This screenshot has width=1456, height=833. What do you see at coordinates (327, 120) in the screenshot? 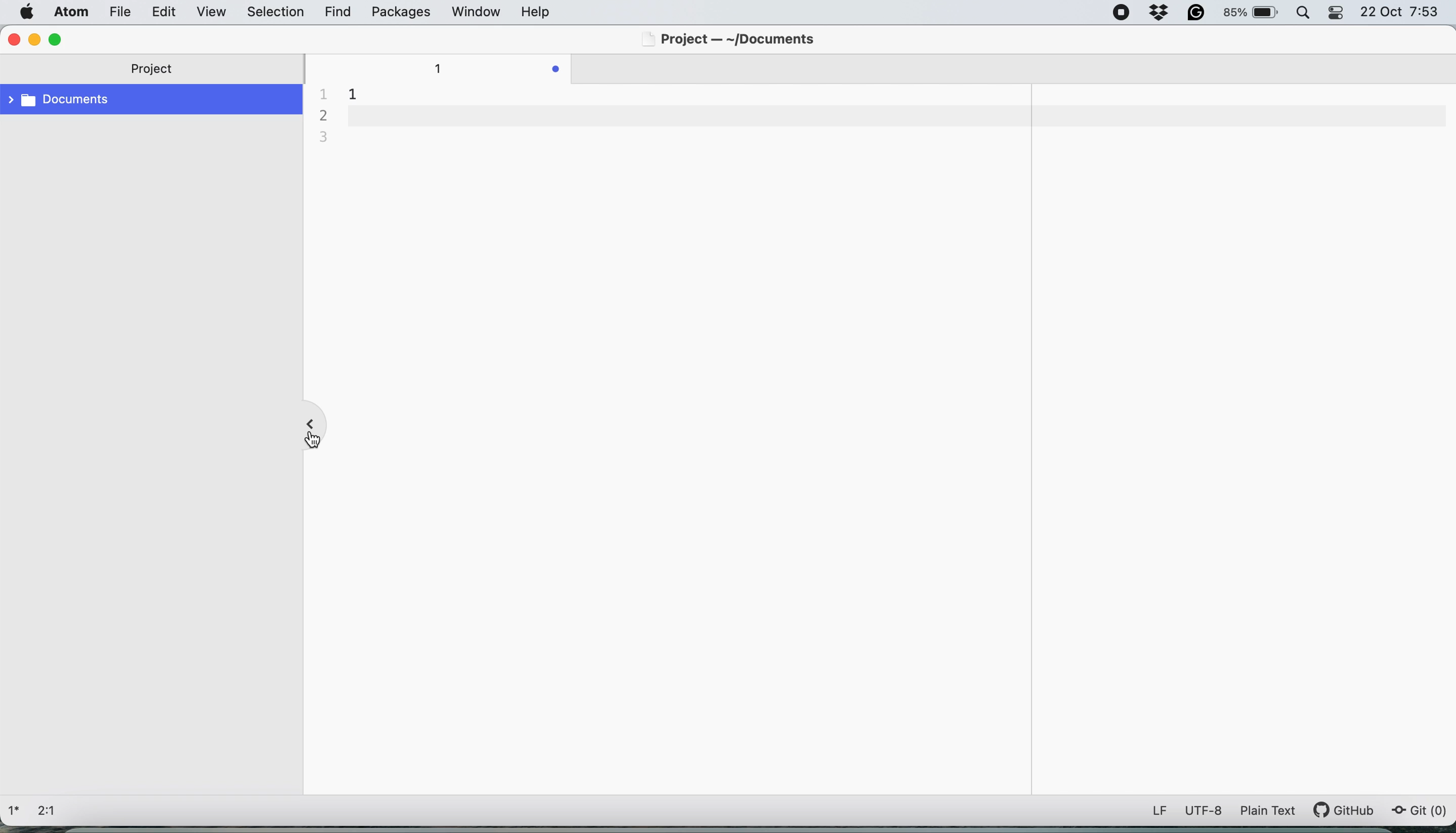
I see `line number` at bounding box center [327, 120].